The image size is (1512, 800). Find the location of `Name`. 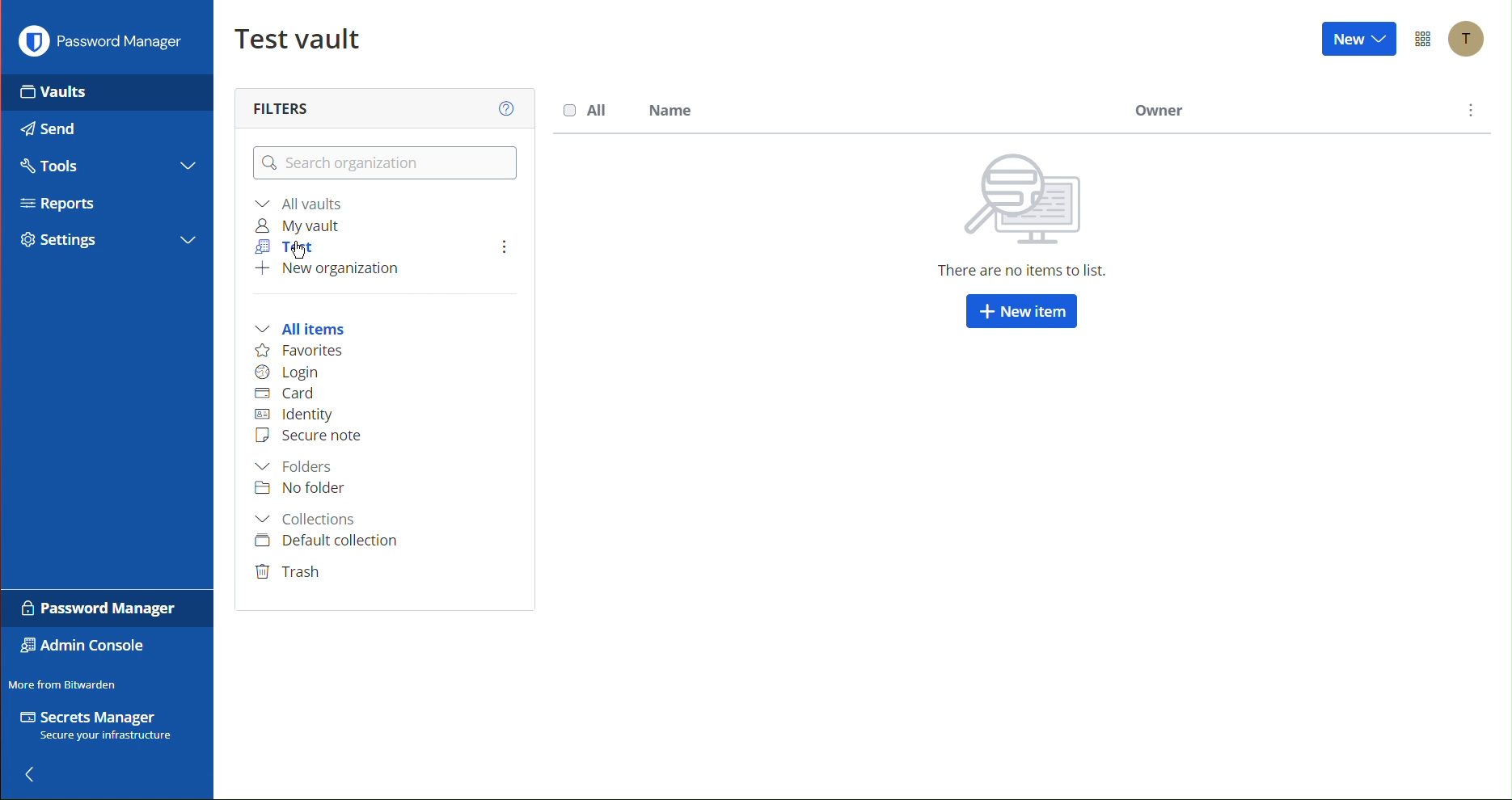

Name is located at coordinates (671, 111).